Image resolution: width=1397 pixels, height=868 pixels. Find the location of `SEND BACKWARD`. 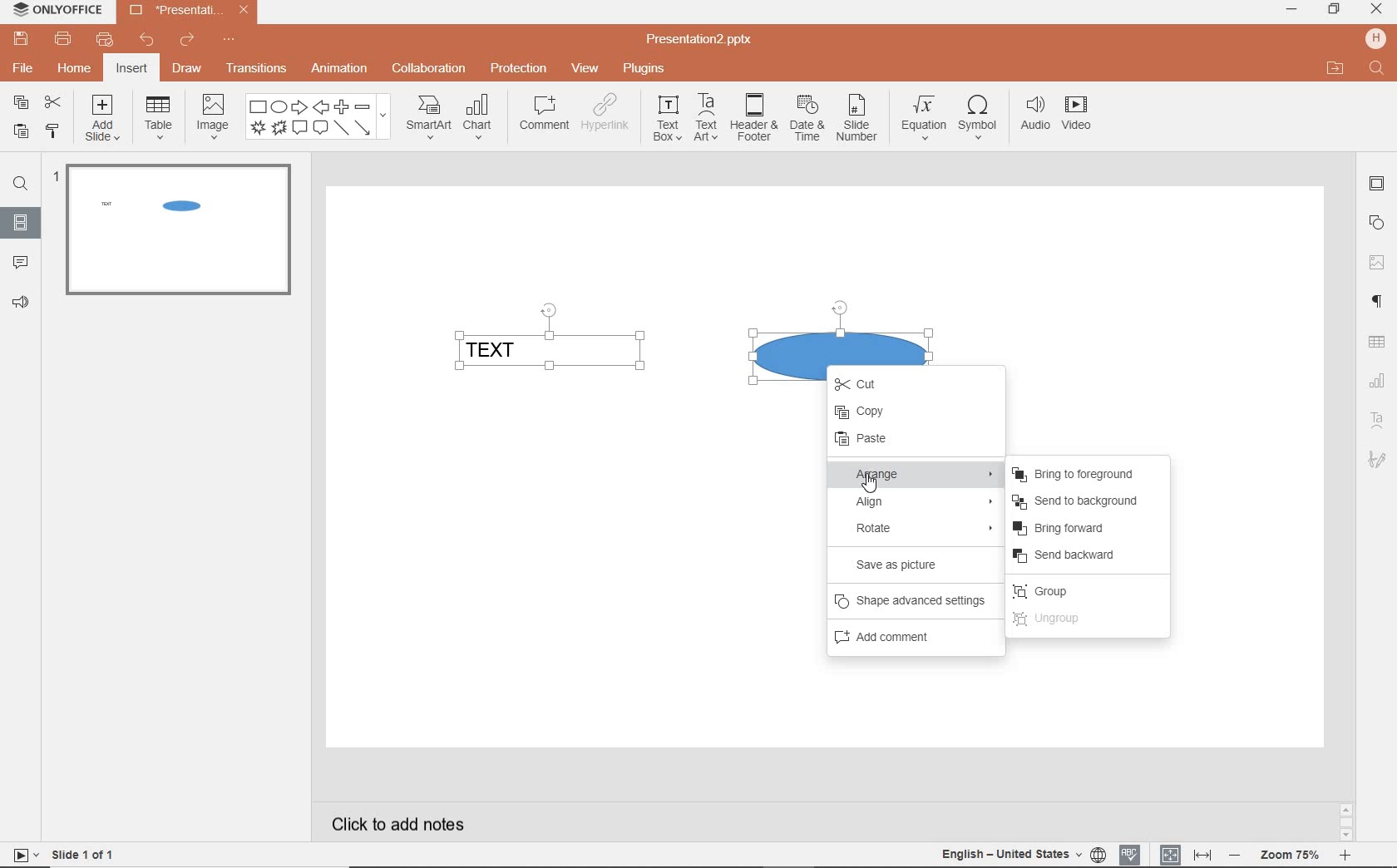

SEND BACKWARD is located at coordinates (1083, 555).